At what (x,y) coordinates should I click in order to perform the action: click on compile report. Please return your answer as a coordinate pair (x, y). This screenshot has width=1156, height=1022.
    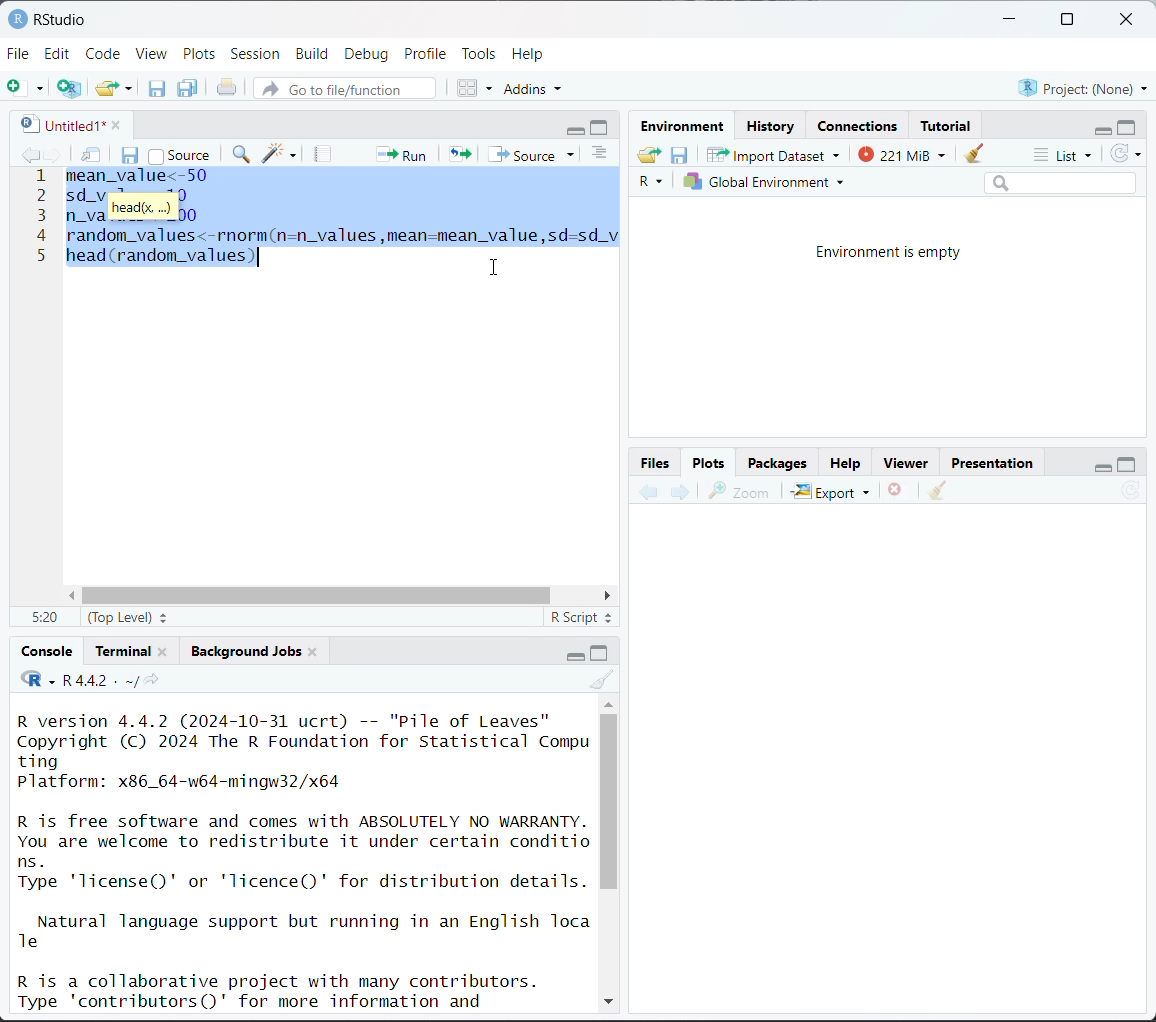
    Looking at the image, I should click on (325, 154).